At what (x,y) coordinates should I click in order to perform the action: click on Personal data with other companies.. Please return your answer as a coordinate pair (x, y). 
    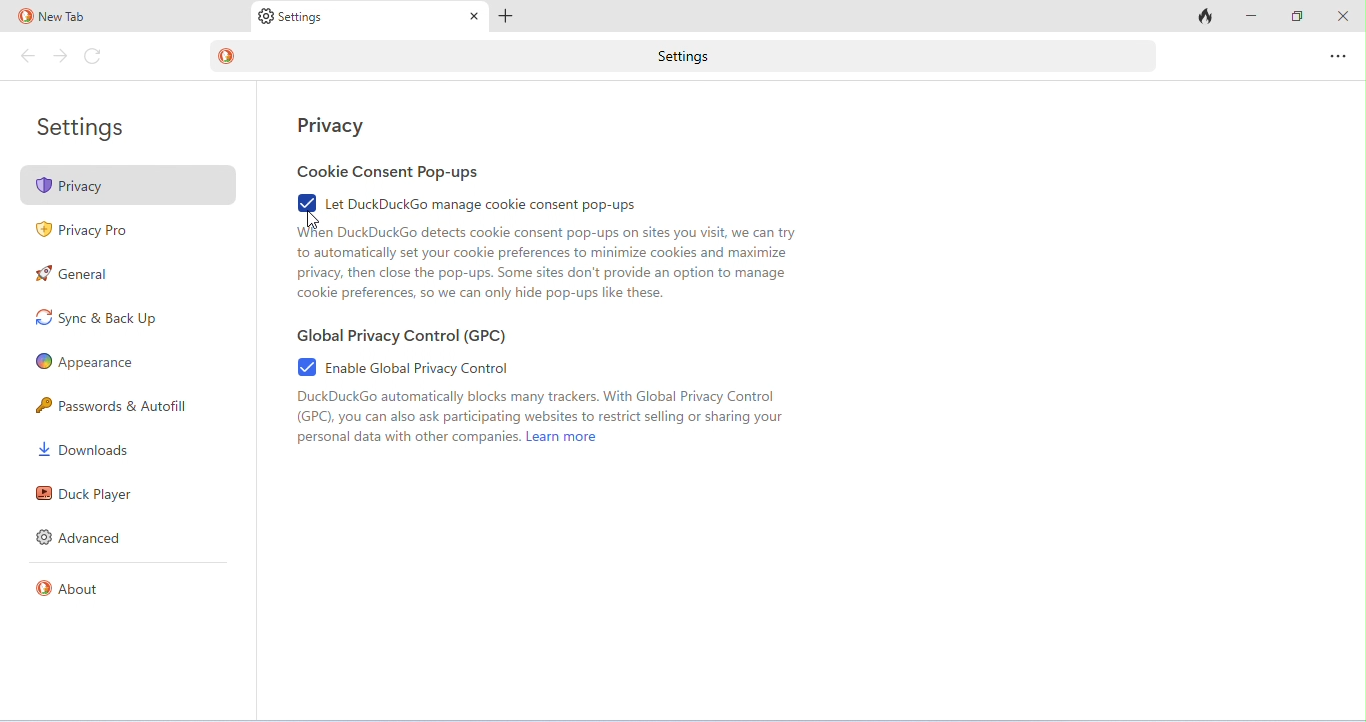
    Looking at the image, I should click on (408, 437).